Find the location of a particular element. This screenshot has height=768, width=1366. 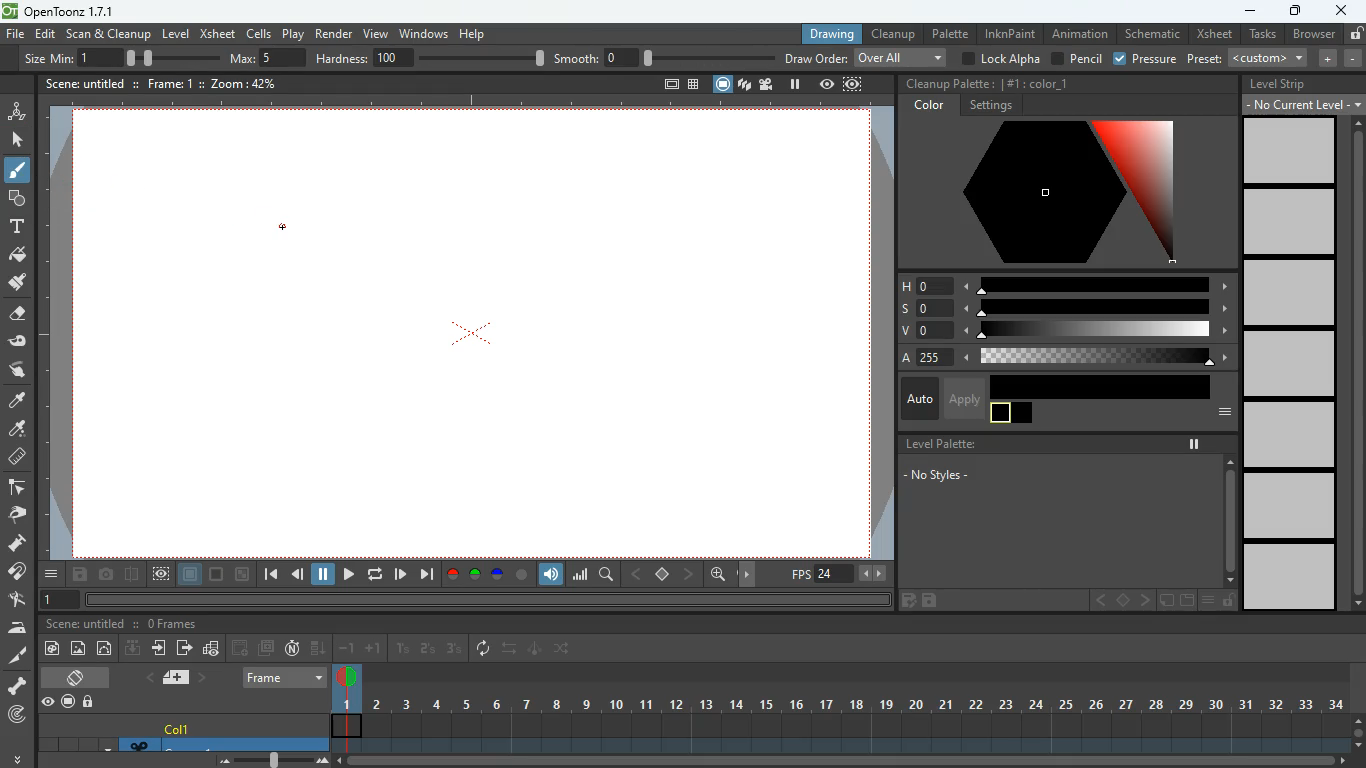

document is located at coordinates (1185, 601).